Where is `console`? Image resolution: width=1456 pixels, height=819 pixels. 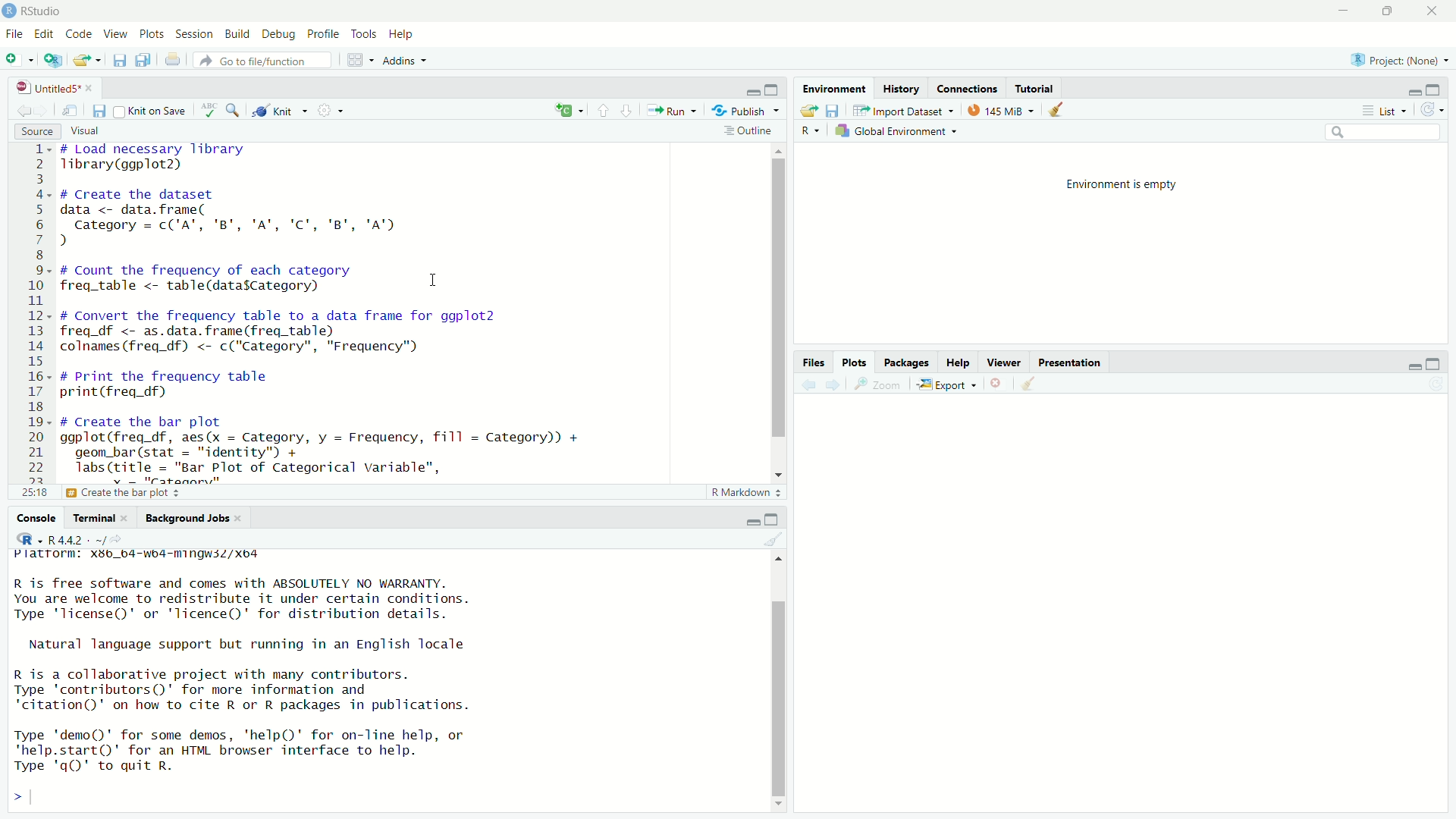
console is located at coordinates (30, 519).